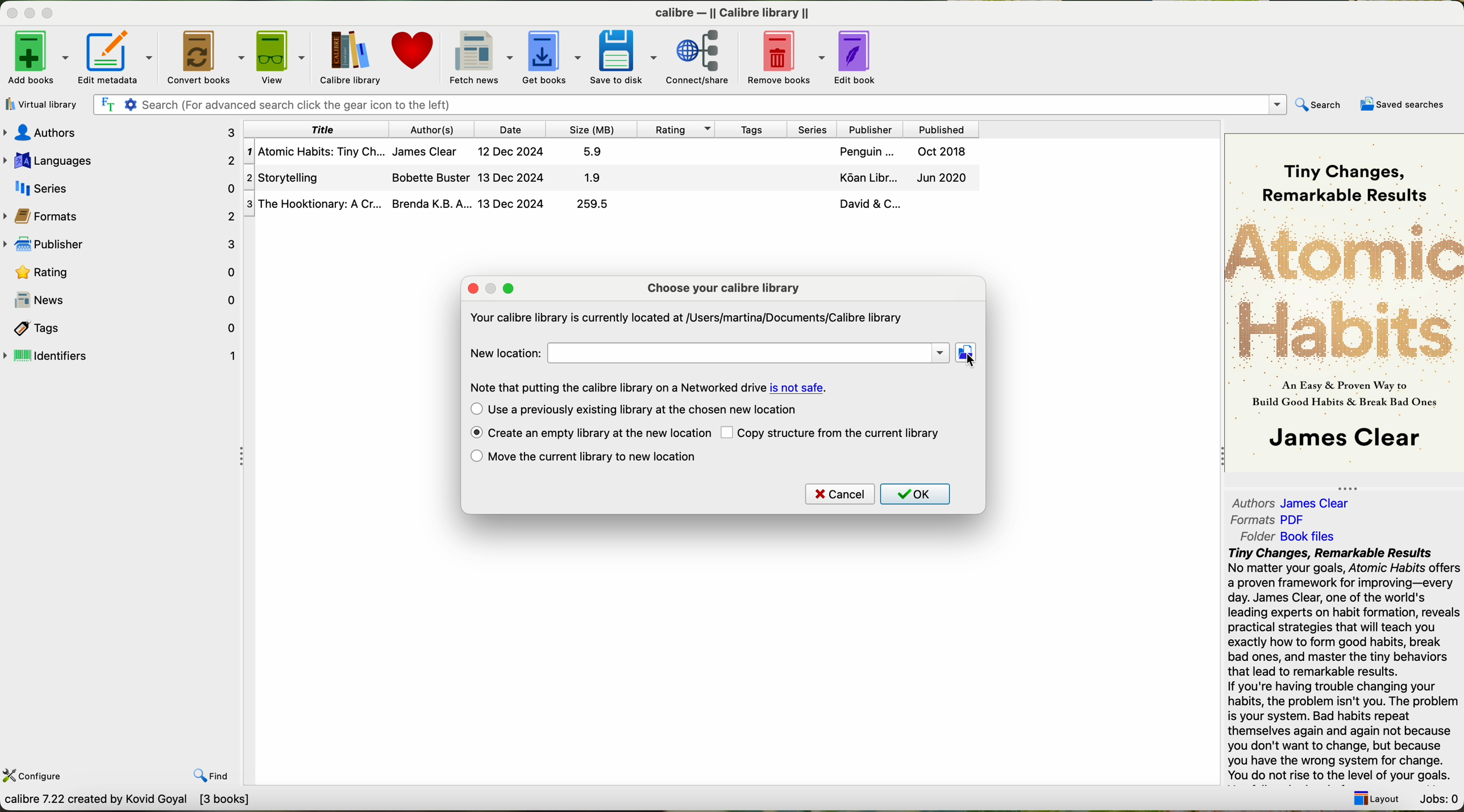 The width and height of the screenshot is (1464, 812). What do you see at coordinates (967, 352) in the screenshot?
I see `open location` at bounding box center [967, 352].